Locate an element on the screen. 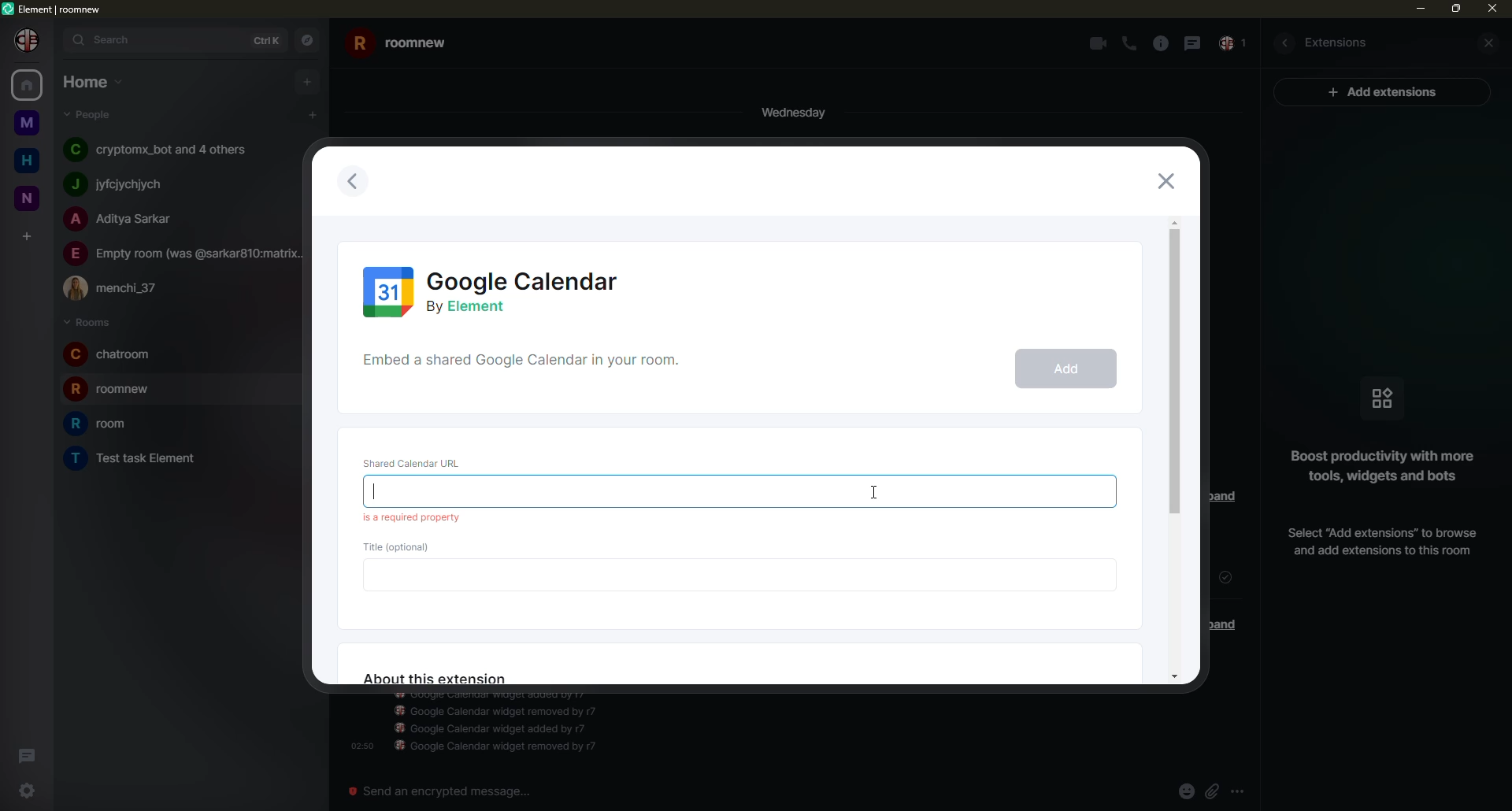 The image size is (1512, 811). room is located at coordinates (99, 424).